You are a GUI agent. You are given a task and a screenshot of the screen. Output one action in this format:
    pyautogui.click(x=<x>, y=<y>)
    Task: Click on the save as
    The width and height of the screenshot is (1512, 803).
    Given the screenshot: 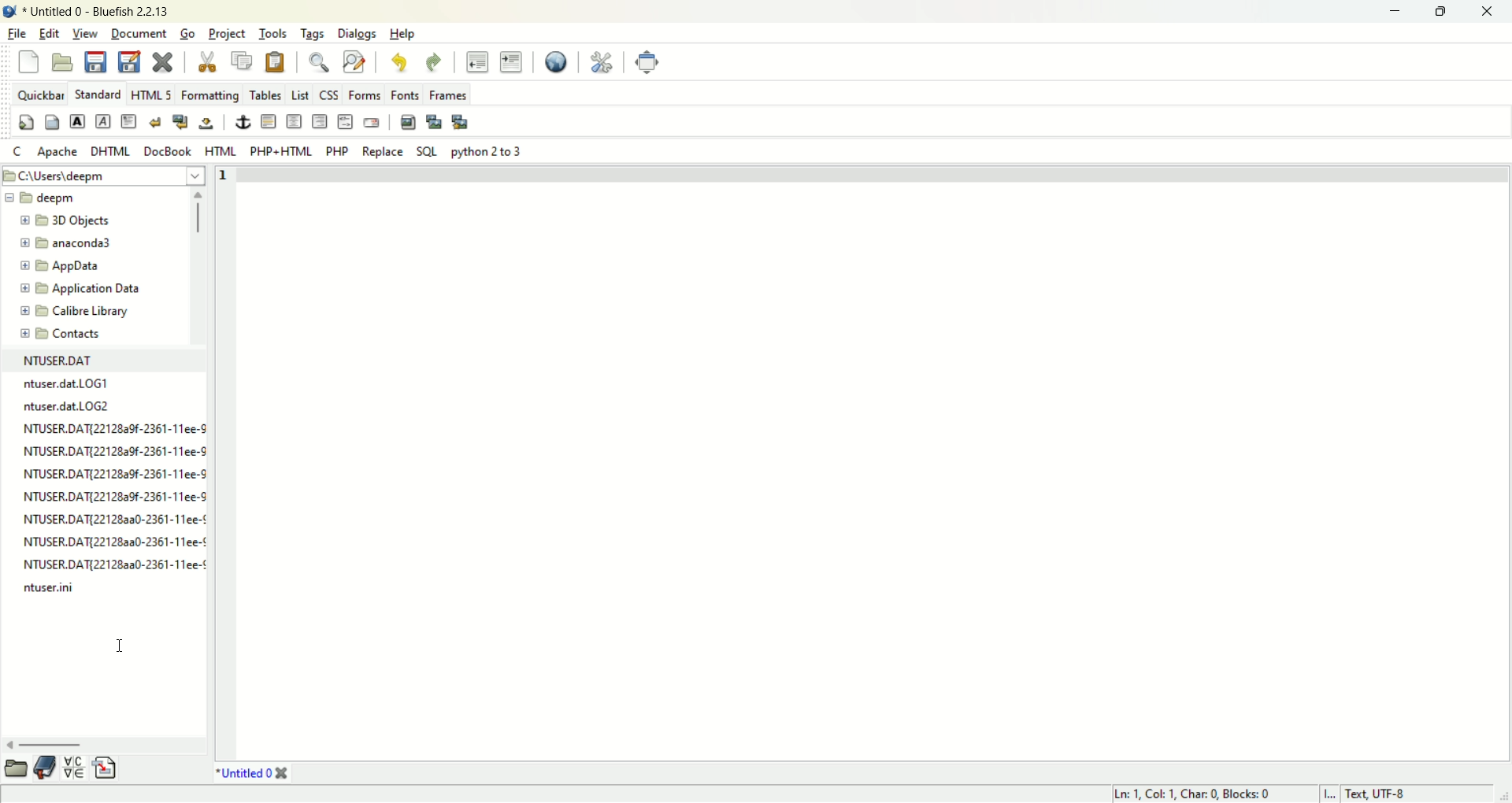 What is the action you would take?
    pyautogui.click(x=129, y=60)
    